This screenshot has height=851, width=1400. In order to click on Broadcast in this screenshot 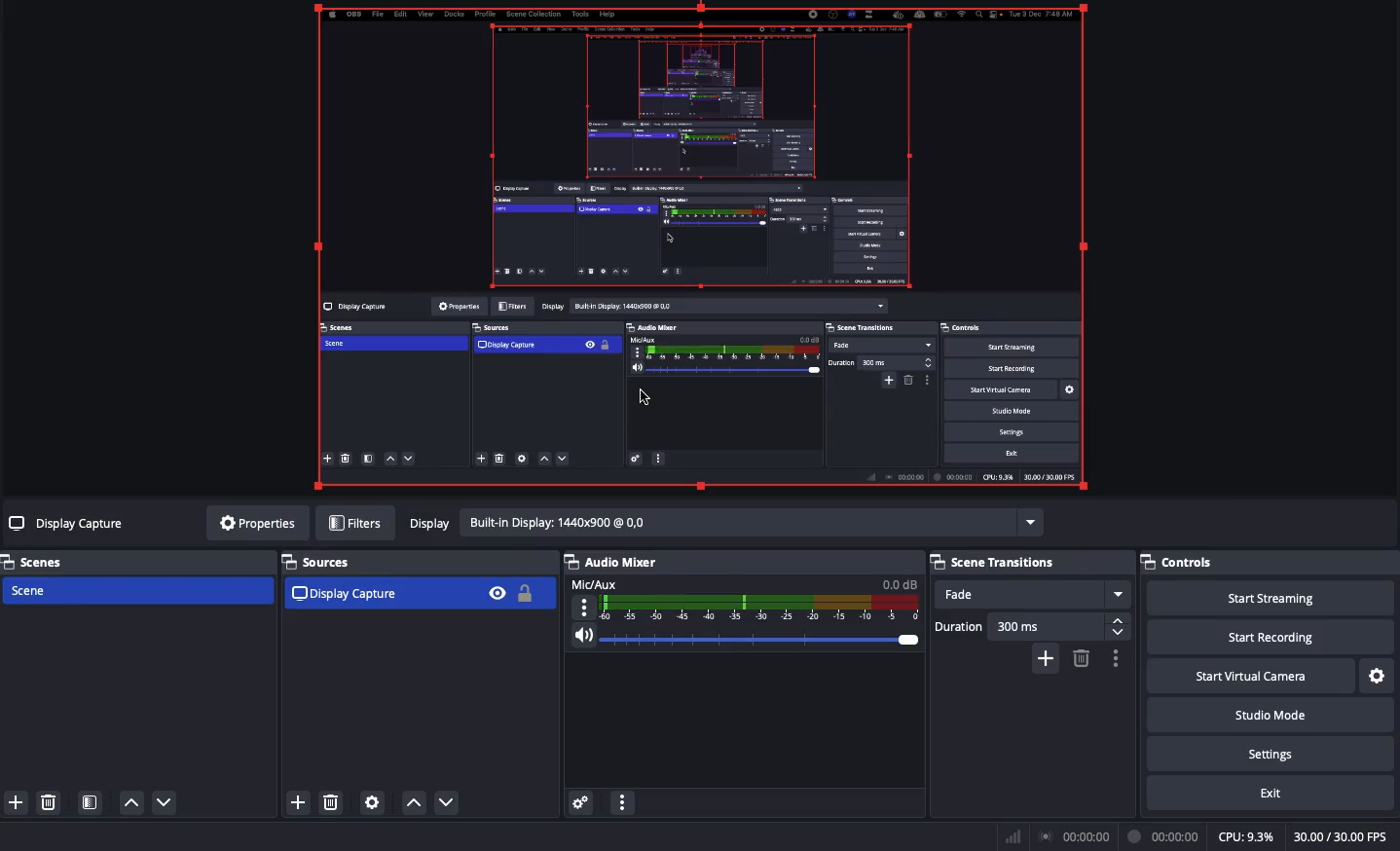, I will do `click(1074, 836)`.